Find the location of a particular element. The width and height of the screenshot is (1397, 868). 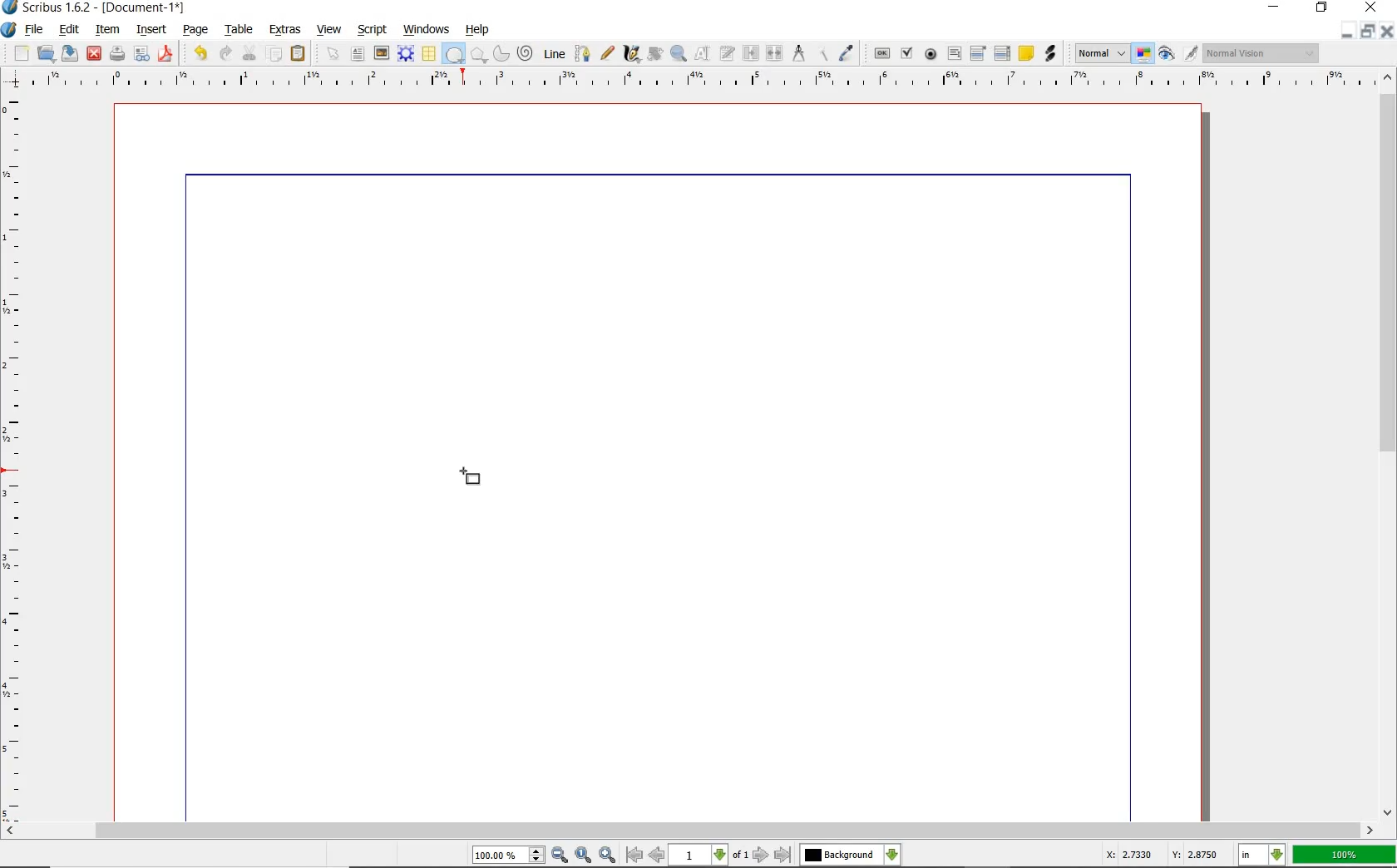

ROTATE ITEM is located at coordinates (654, 52).